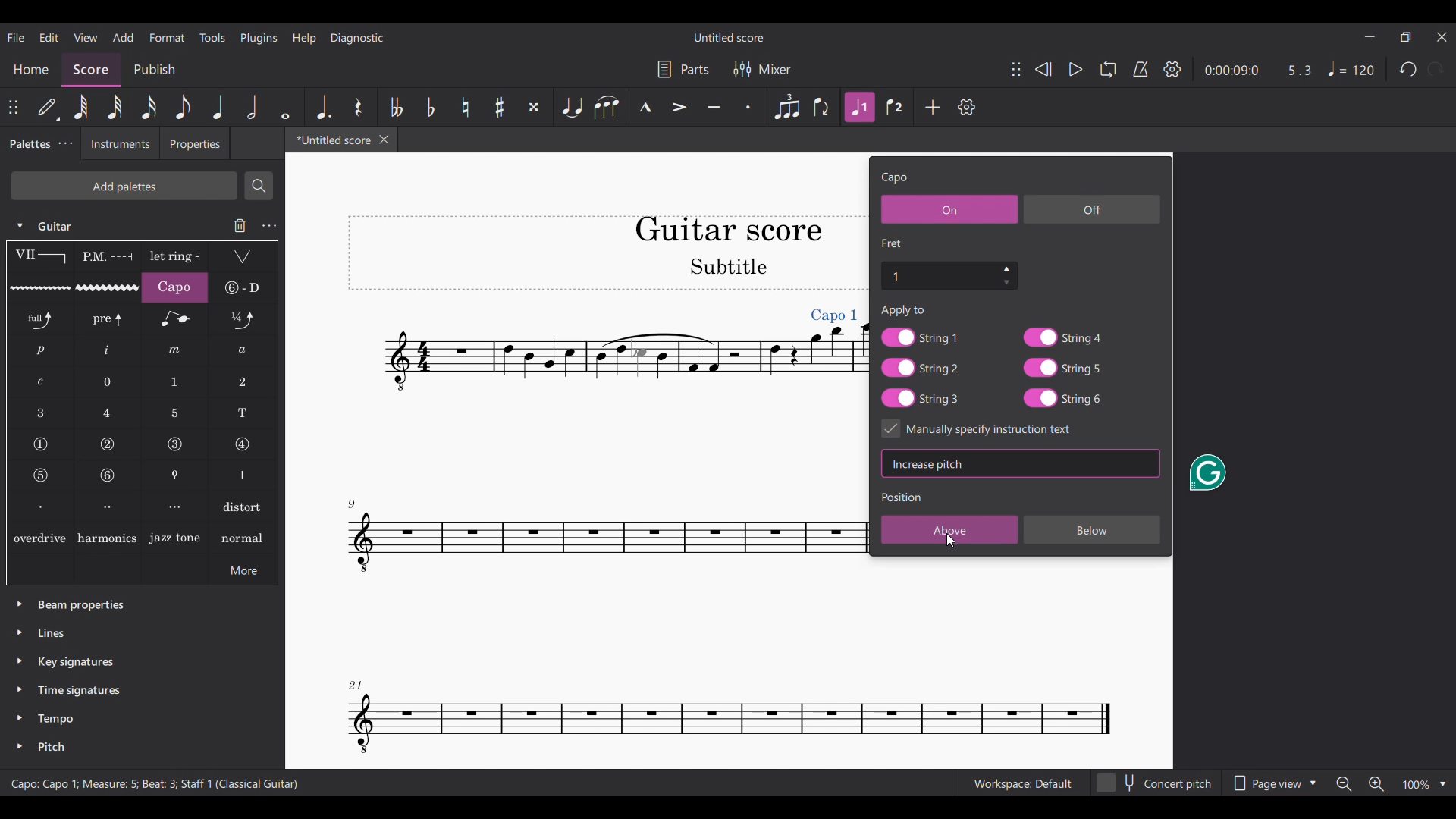  I want to click on Barre line, so click(40, 257).